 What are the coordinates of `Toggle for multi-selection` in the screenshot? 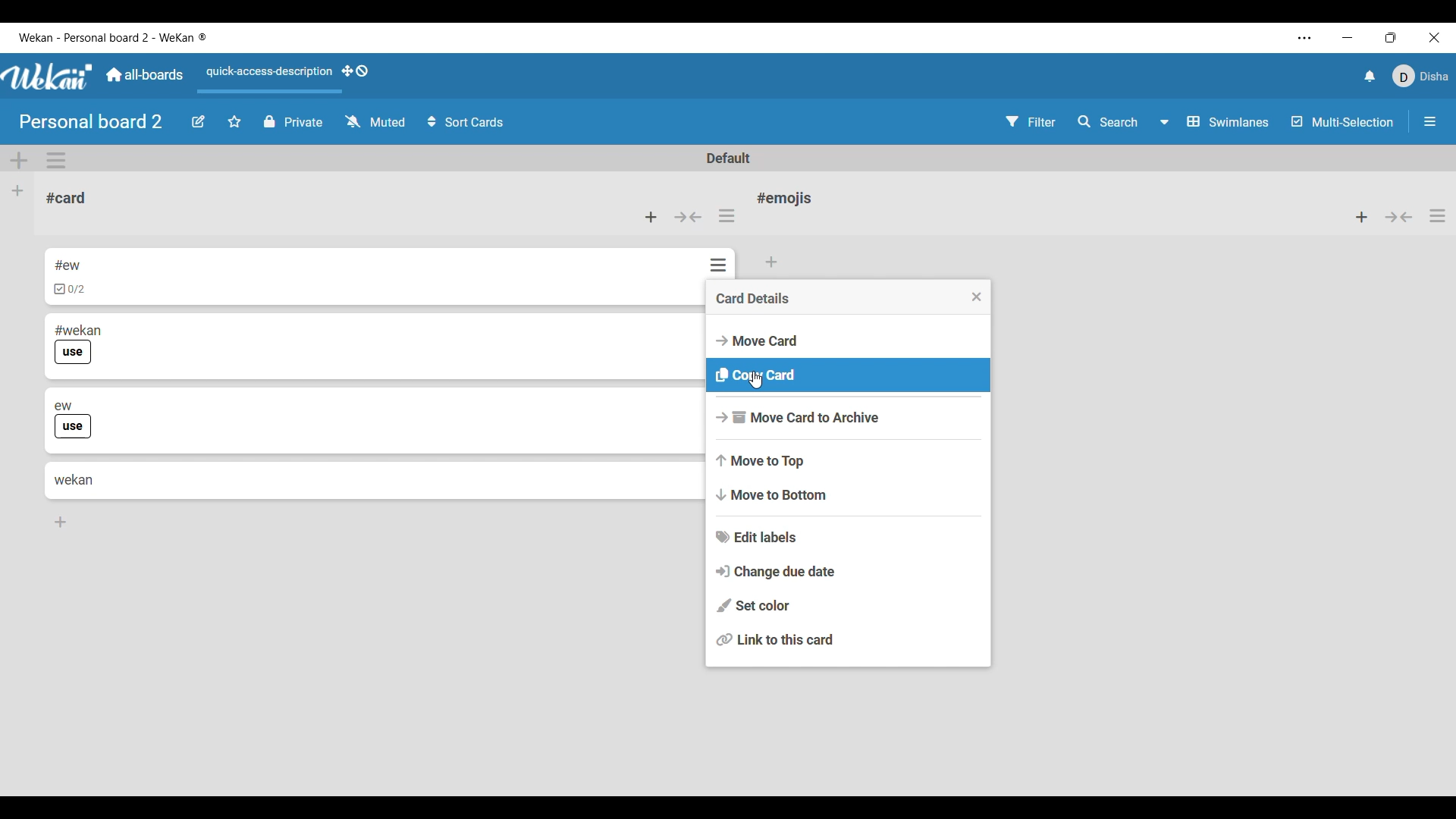 It's located at (1342, 121).